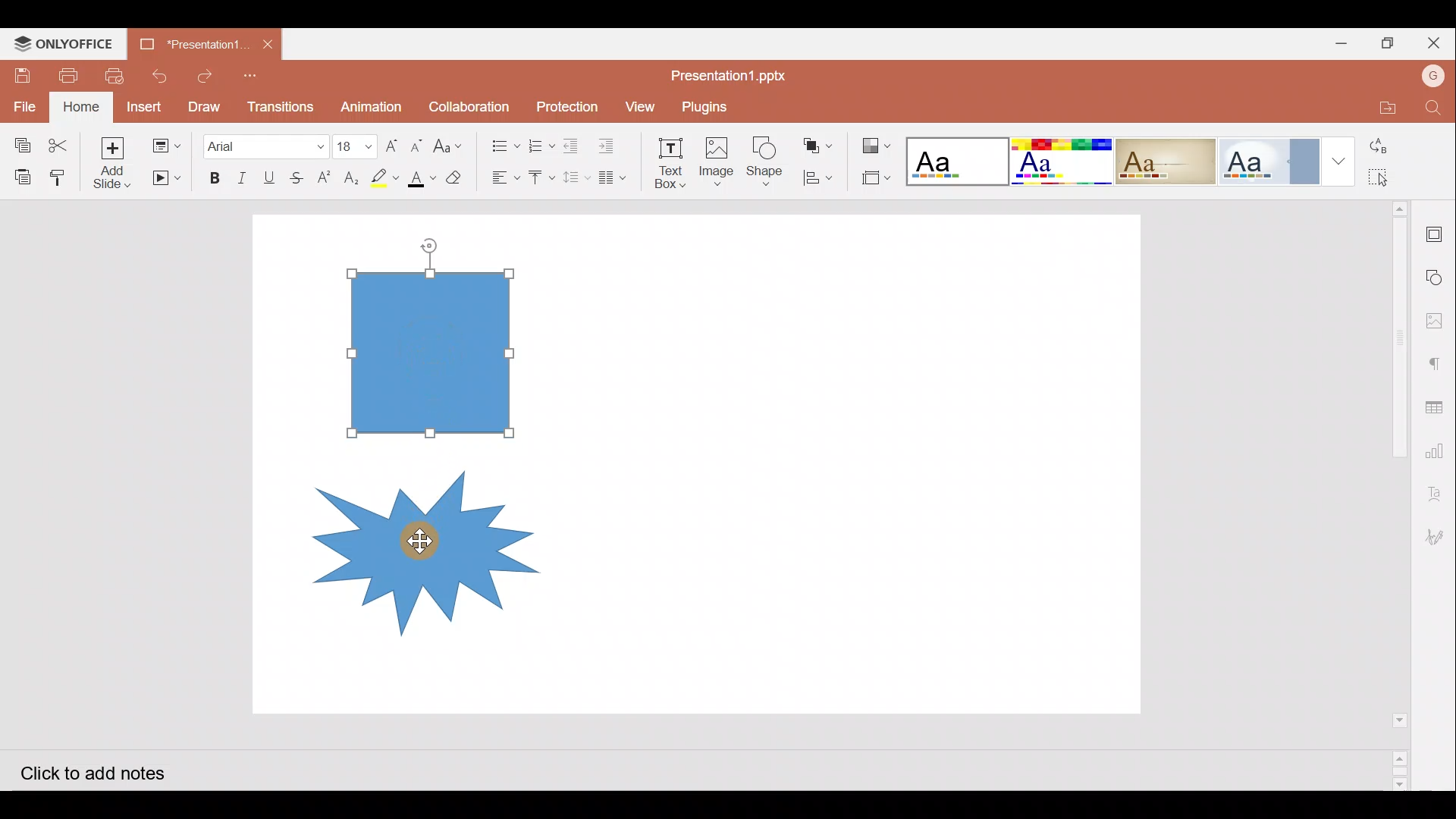  I want to click on Slide settings, so click(1437, 231).